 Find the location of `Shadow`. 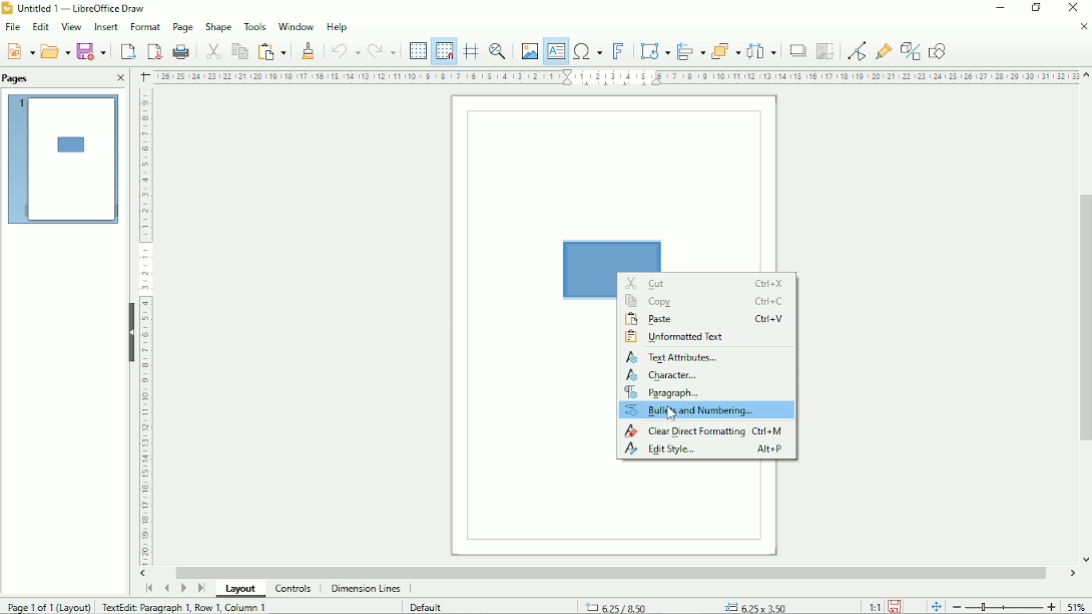

Shadow is located at coordinates (797, 51).